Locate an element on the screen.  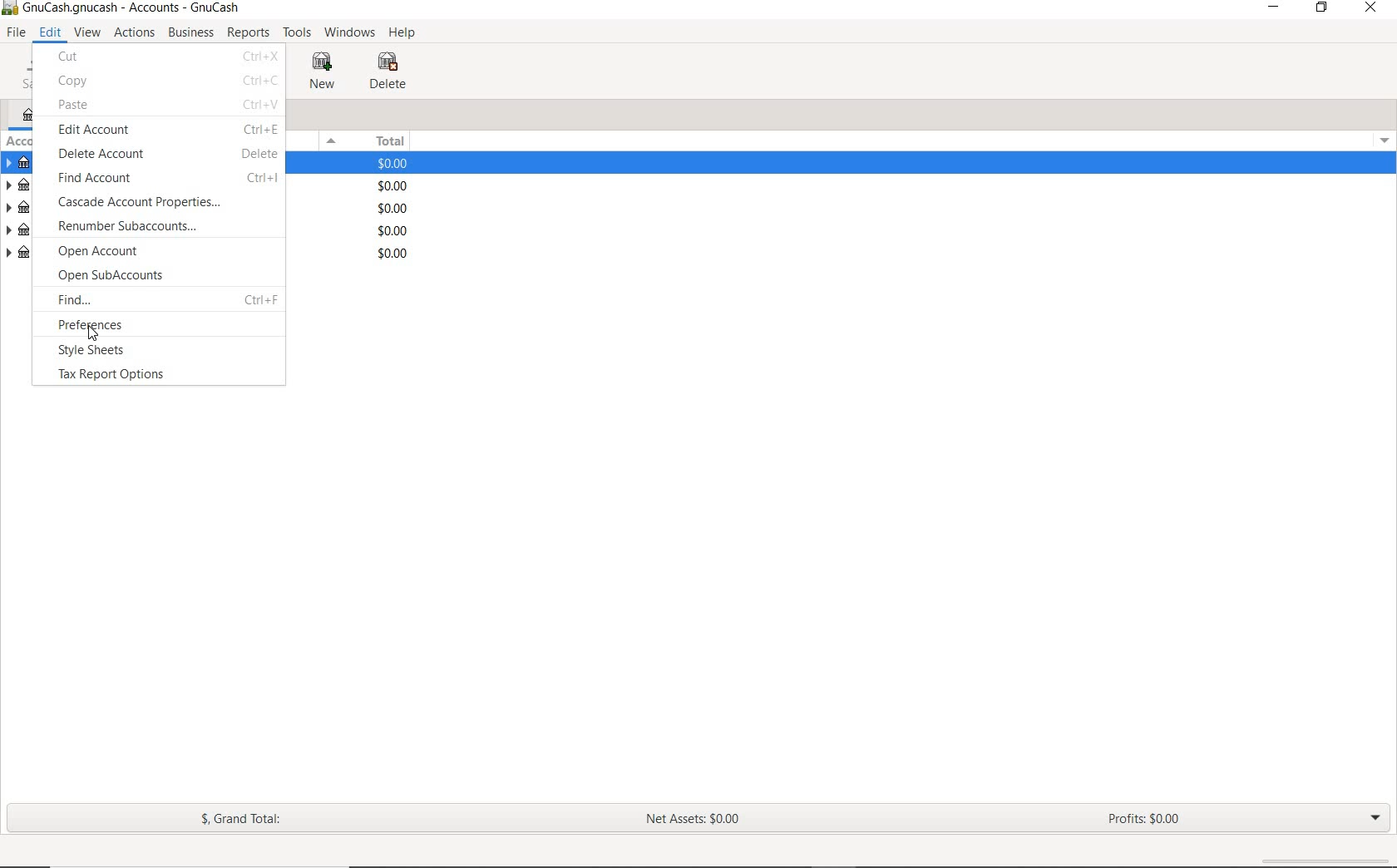
GRAND TOTAL is located at coordinates (241, 820).